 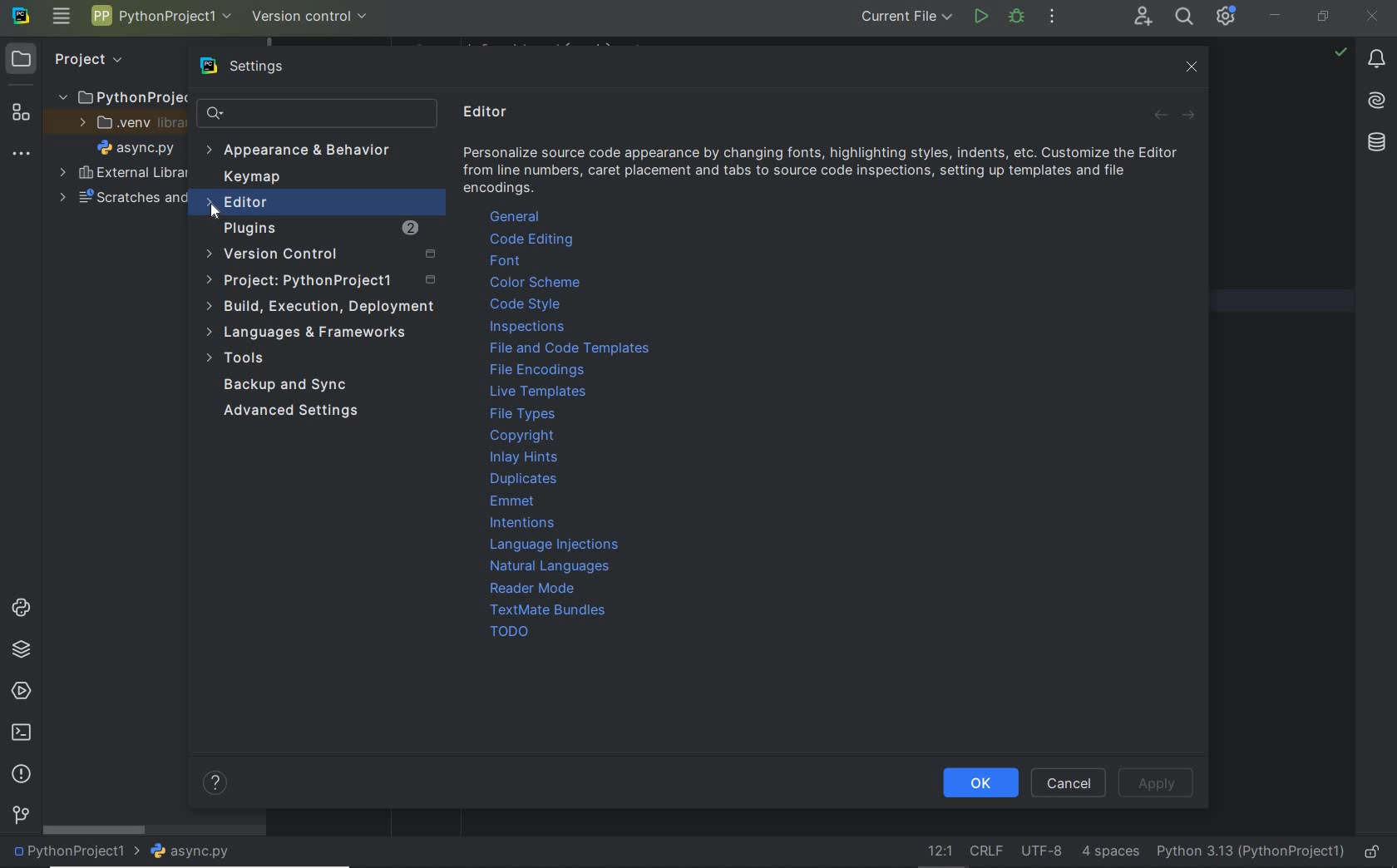 I want to click on search everywhere, so click(x=1186, y=18).